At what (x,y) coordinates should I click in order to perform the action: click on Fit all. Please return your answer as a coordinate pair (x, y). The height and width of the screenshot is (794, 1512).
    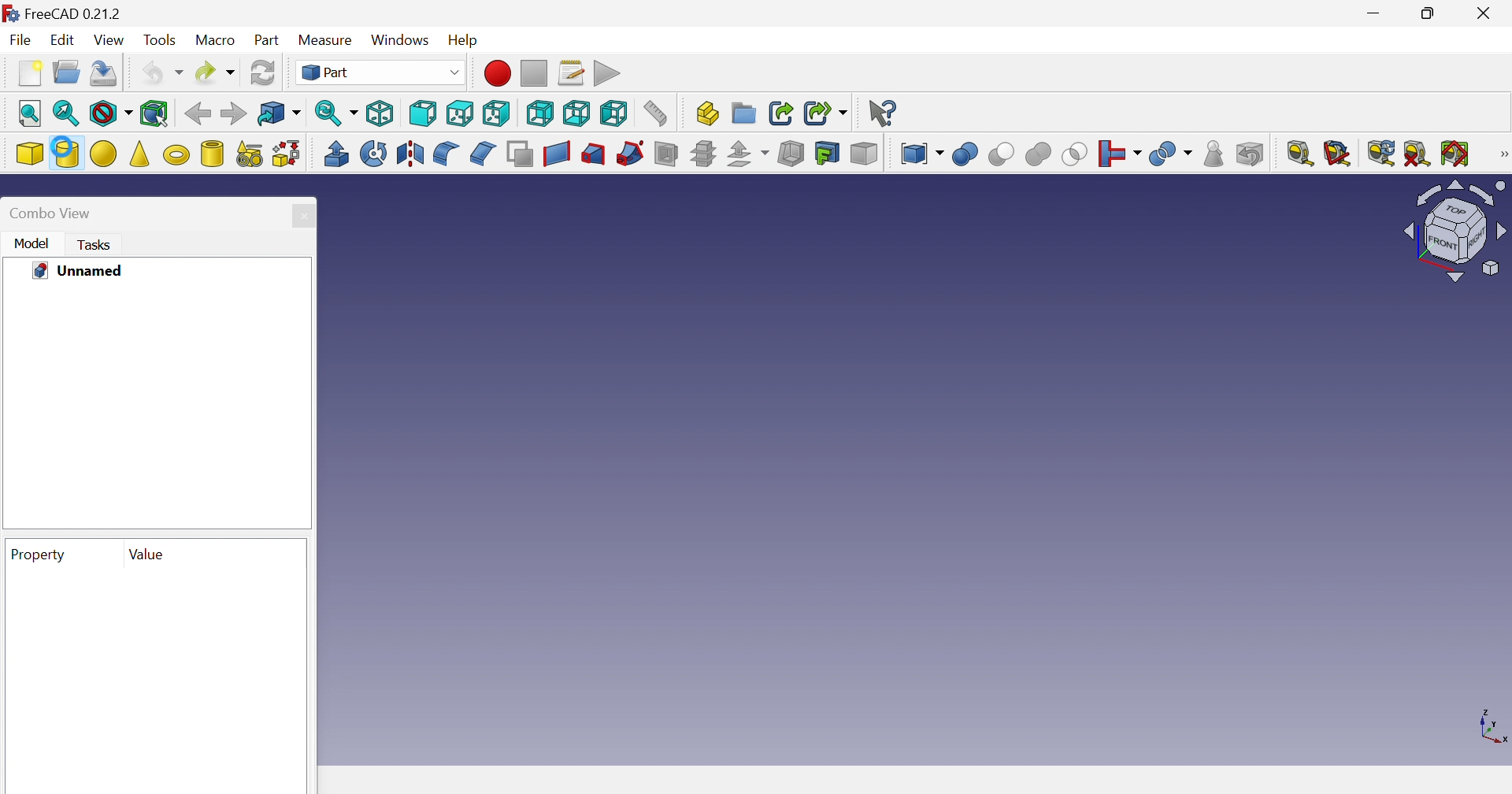
    Looking at the image, I should click on (29, 110).